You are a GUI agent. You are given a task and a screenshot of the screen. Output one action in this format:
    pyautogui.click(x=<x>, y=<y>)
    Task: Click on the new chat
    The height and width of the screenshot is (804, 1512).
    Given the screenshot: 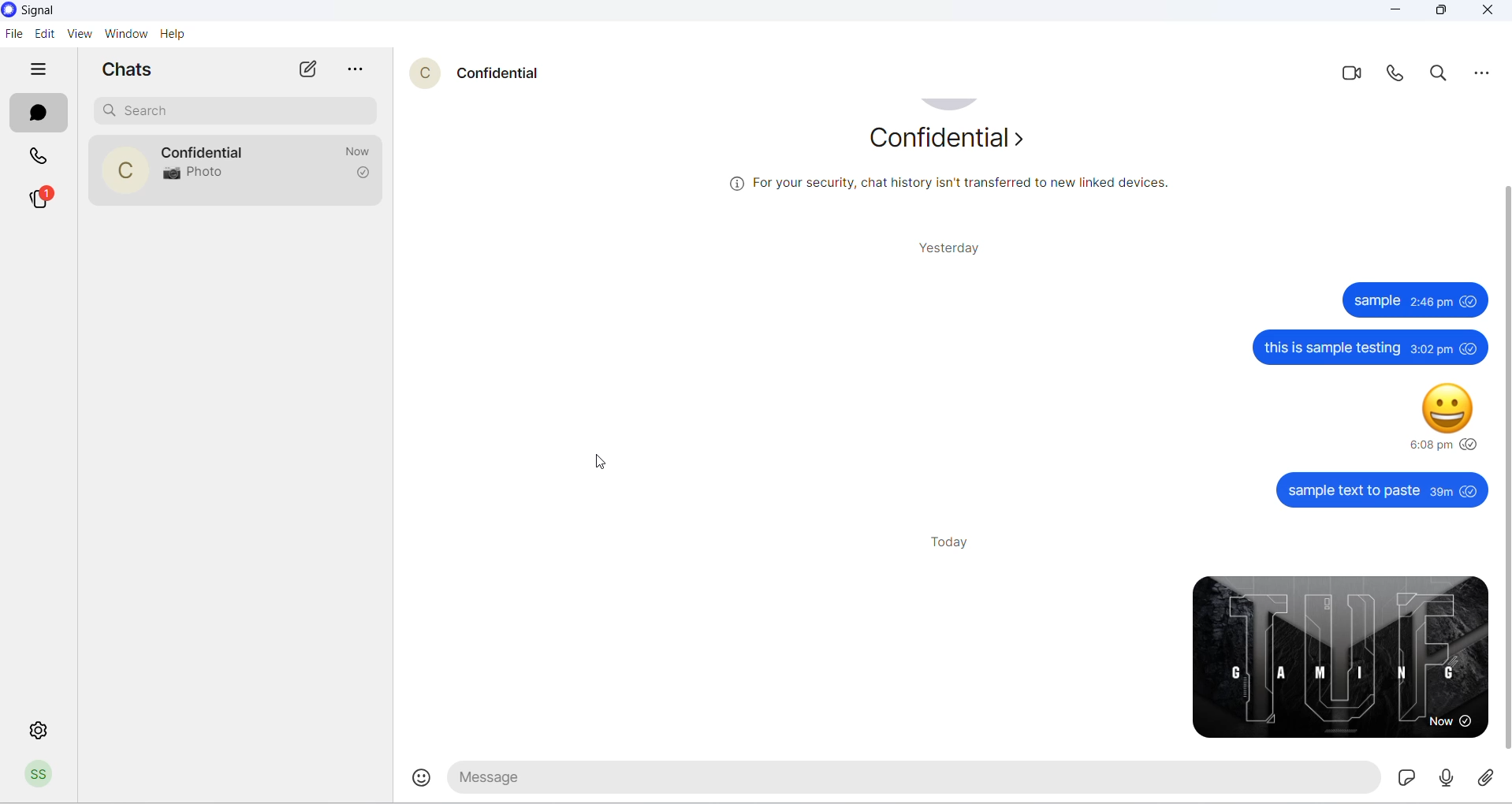 What is the action you would take?
    pyautogui.click(x=311, y=70)
    